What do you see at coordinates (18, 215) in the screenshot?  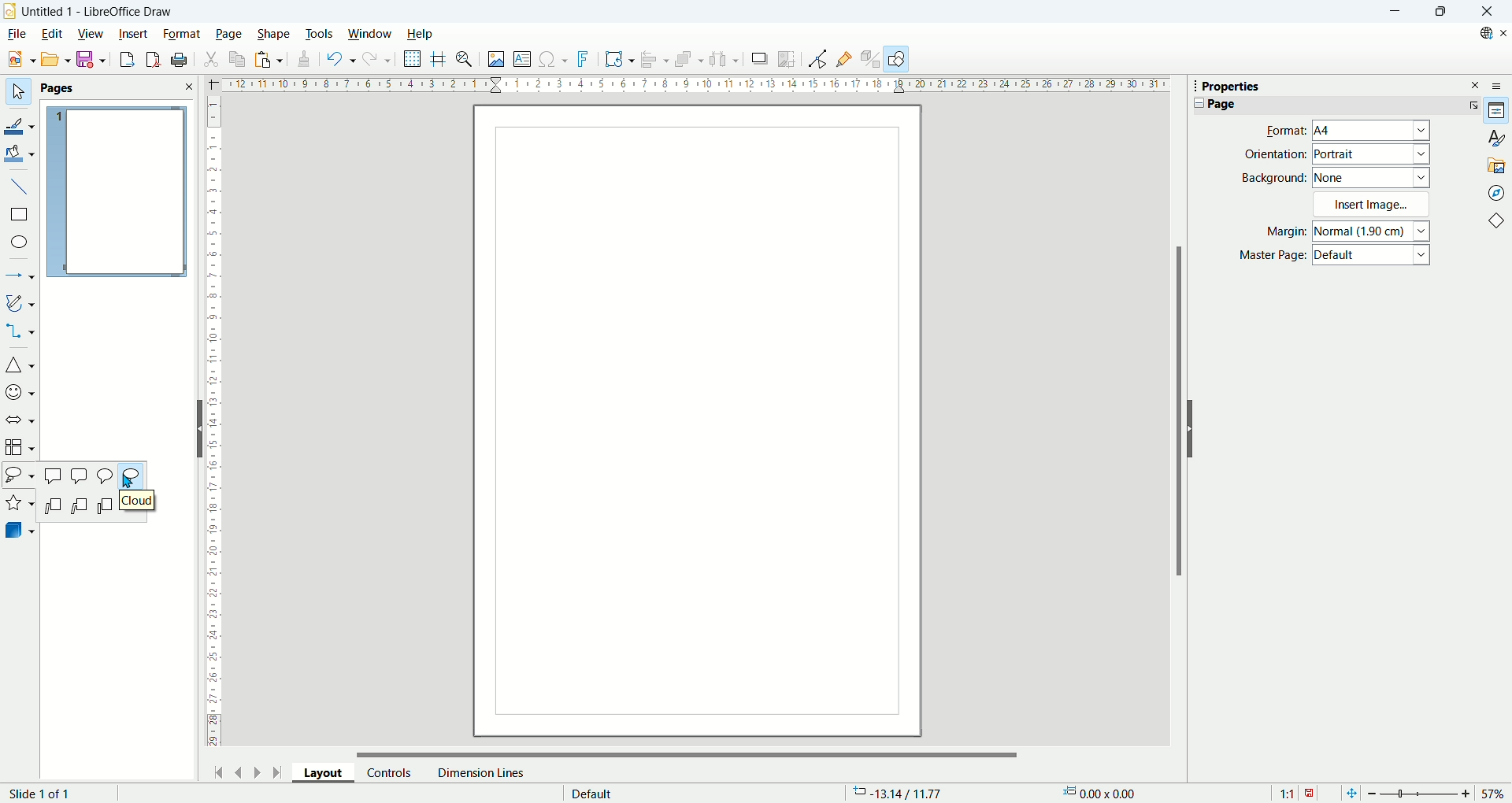 I see `rectangle` at bounding box center [18, 215].